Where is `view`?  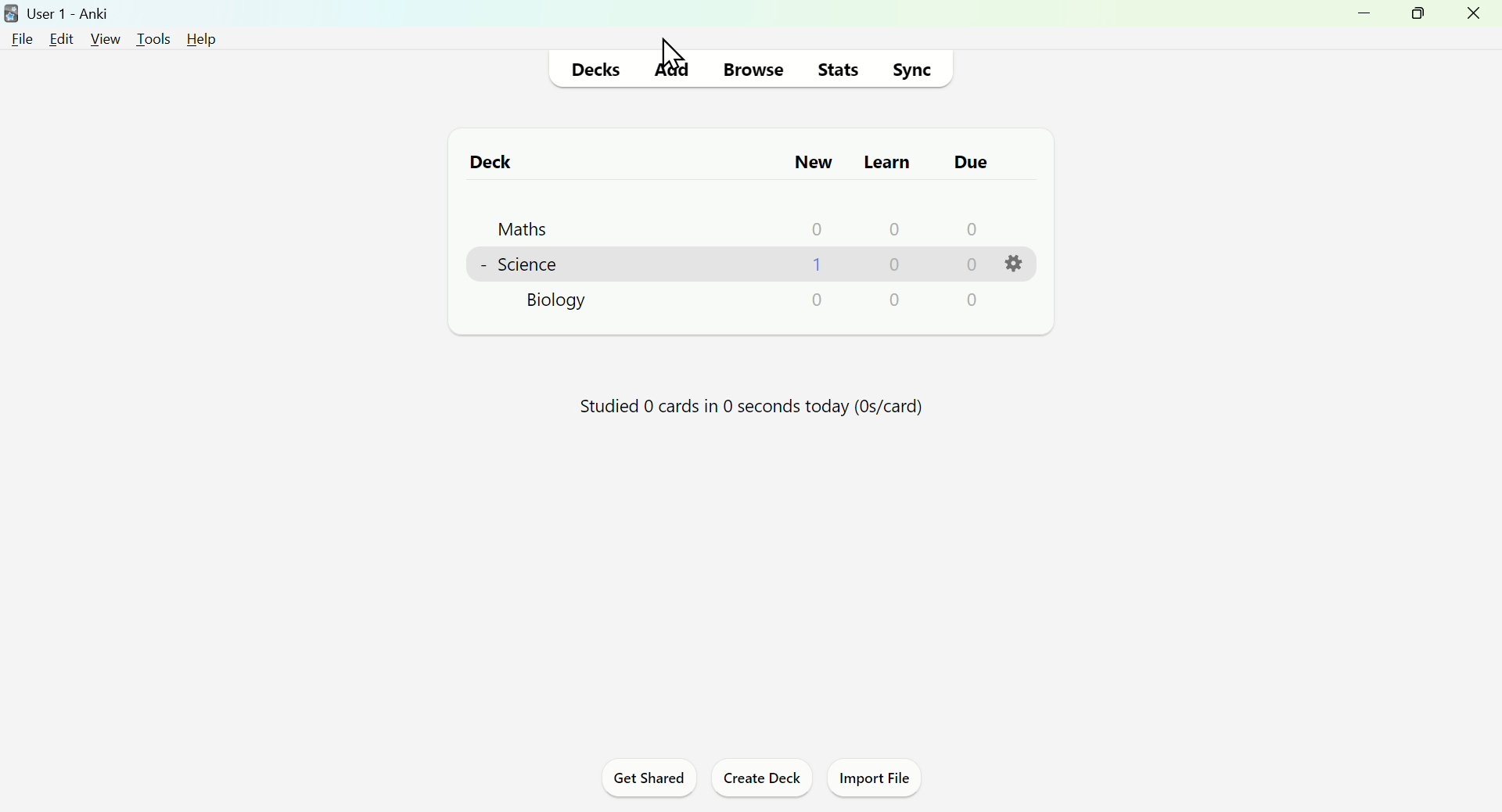 view is located at coordinates (104, 39).